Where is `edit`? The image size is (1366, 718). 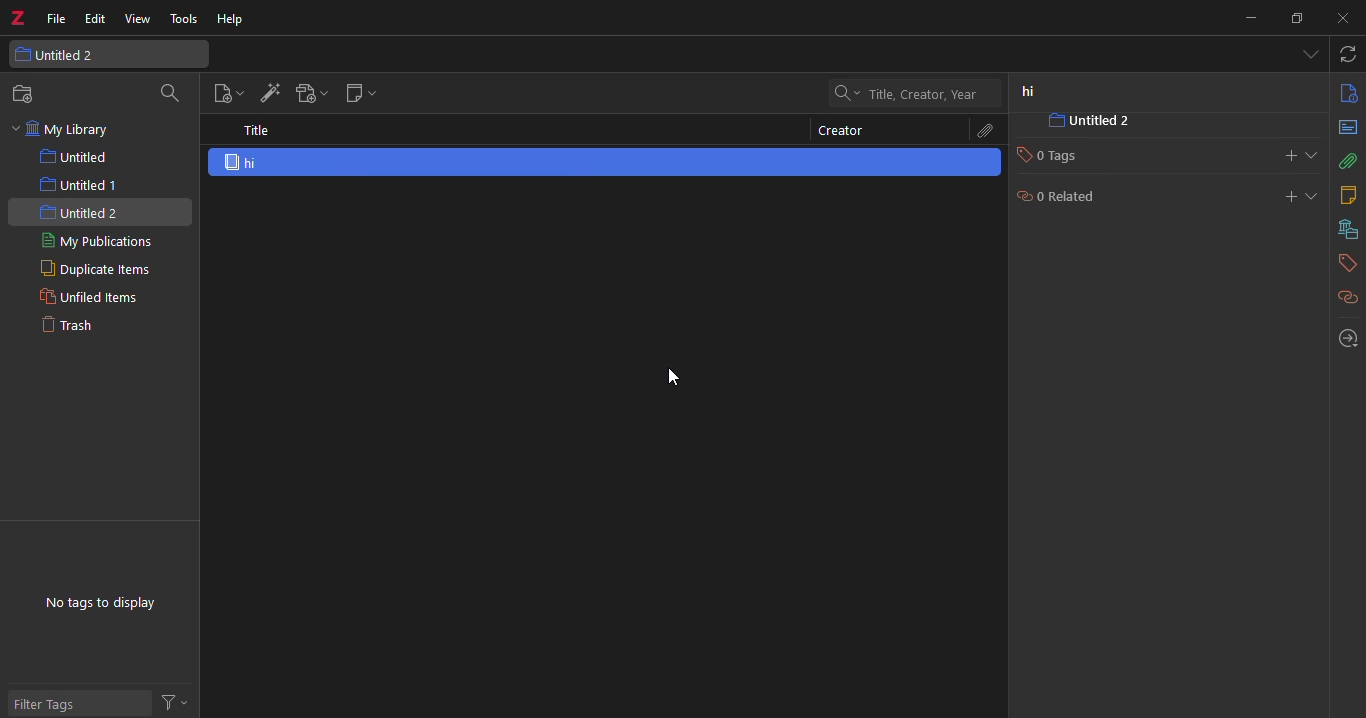
edit is located at coordinates (94, 19).